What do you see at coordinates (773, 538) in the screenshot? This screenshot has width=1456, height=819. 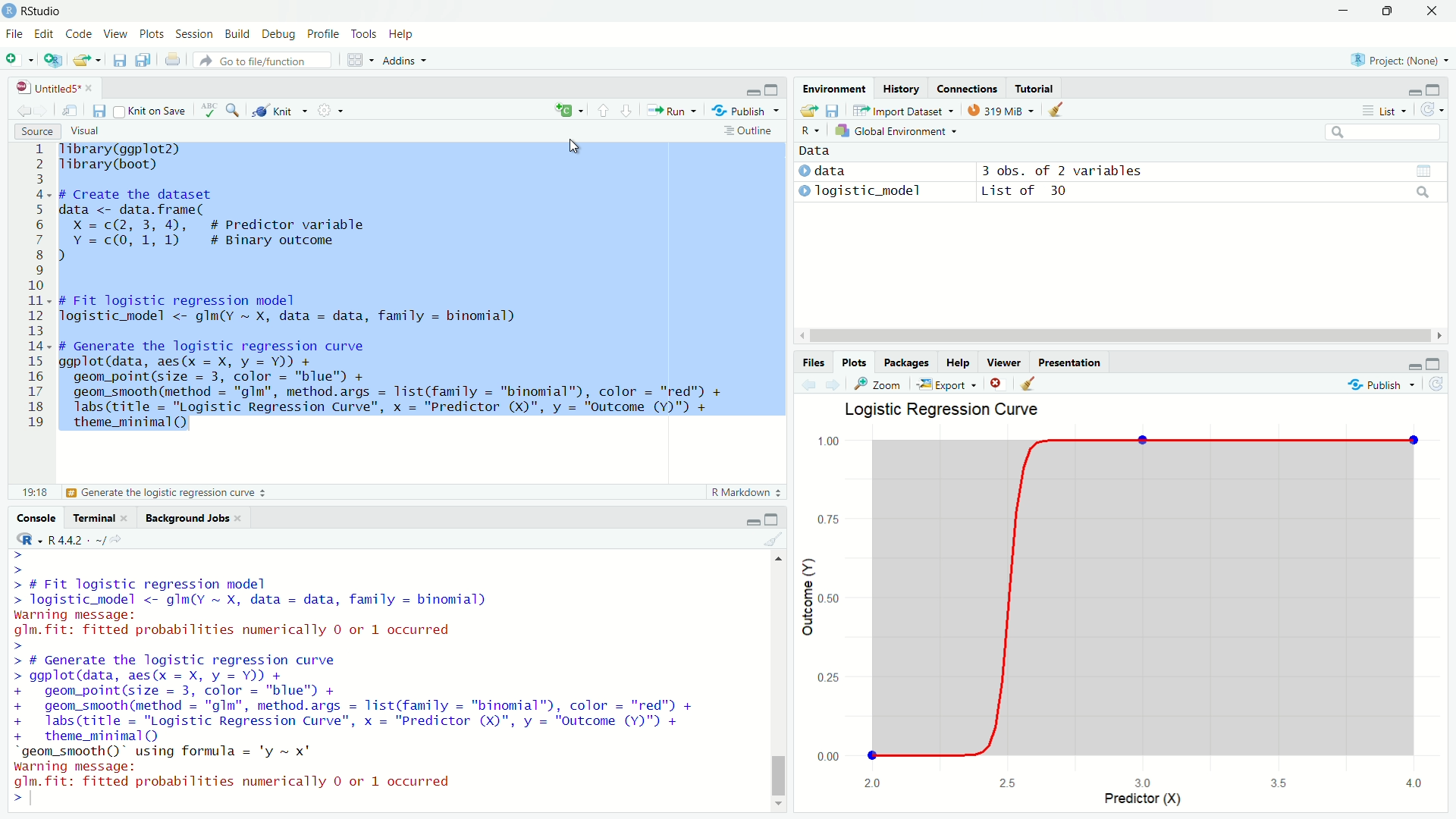 I see `Clear console` at bounding box center [773, 538].